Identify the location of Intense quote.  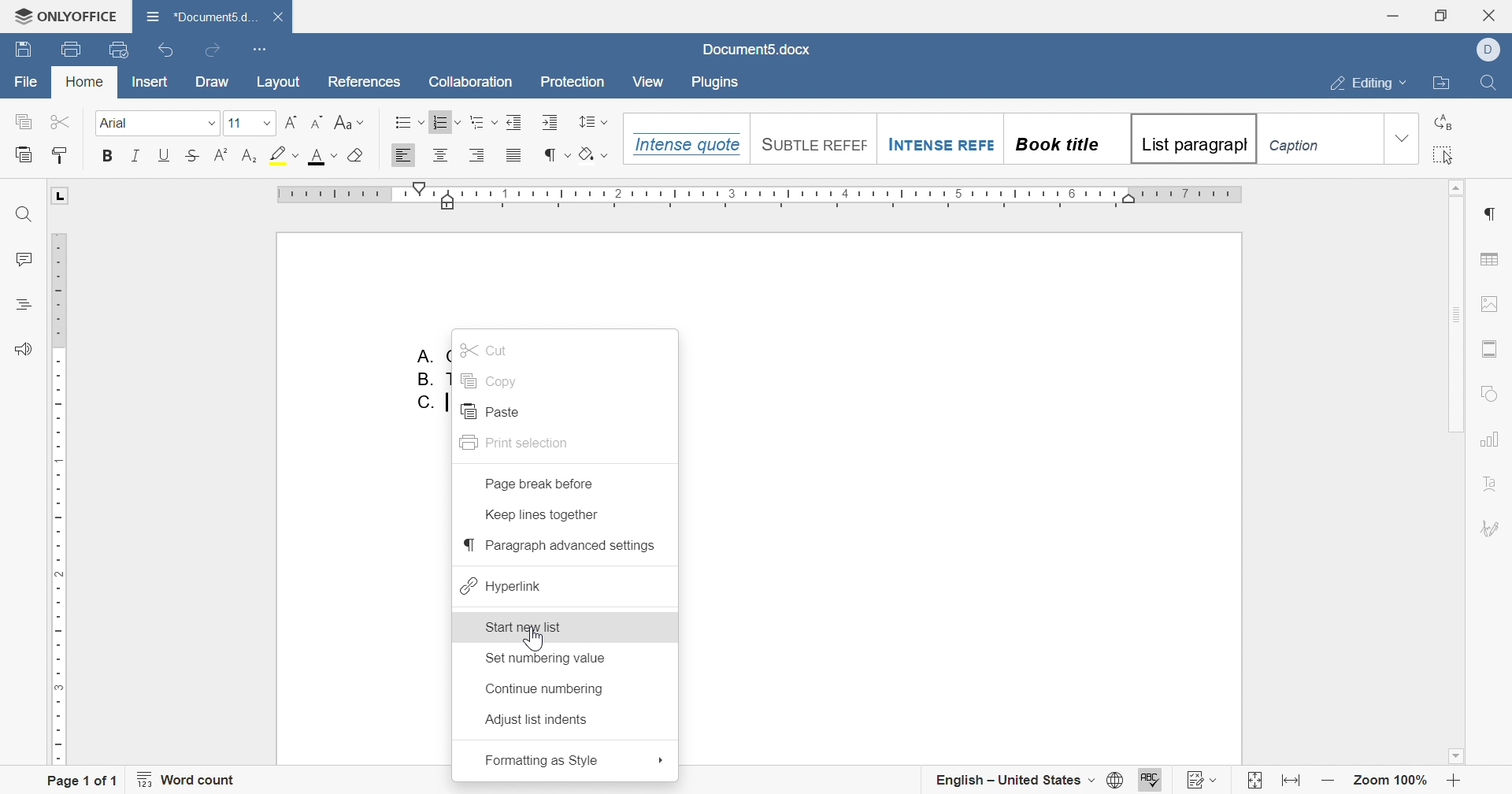
(684, 144).